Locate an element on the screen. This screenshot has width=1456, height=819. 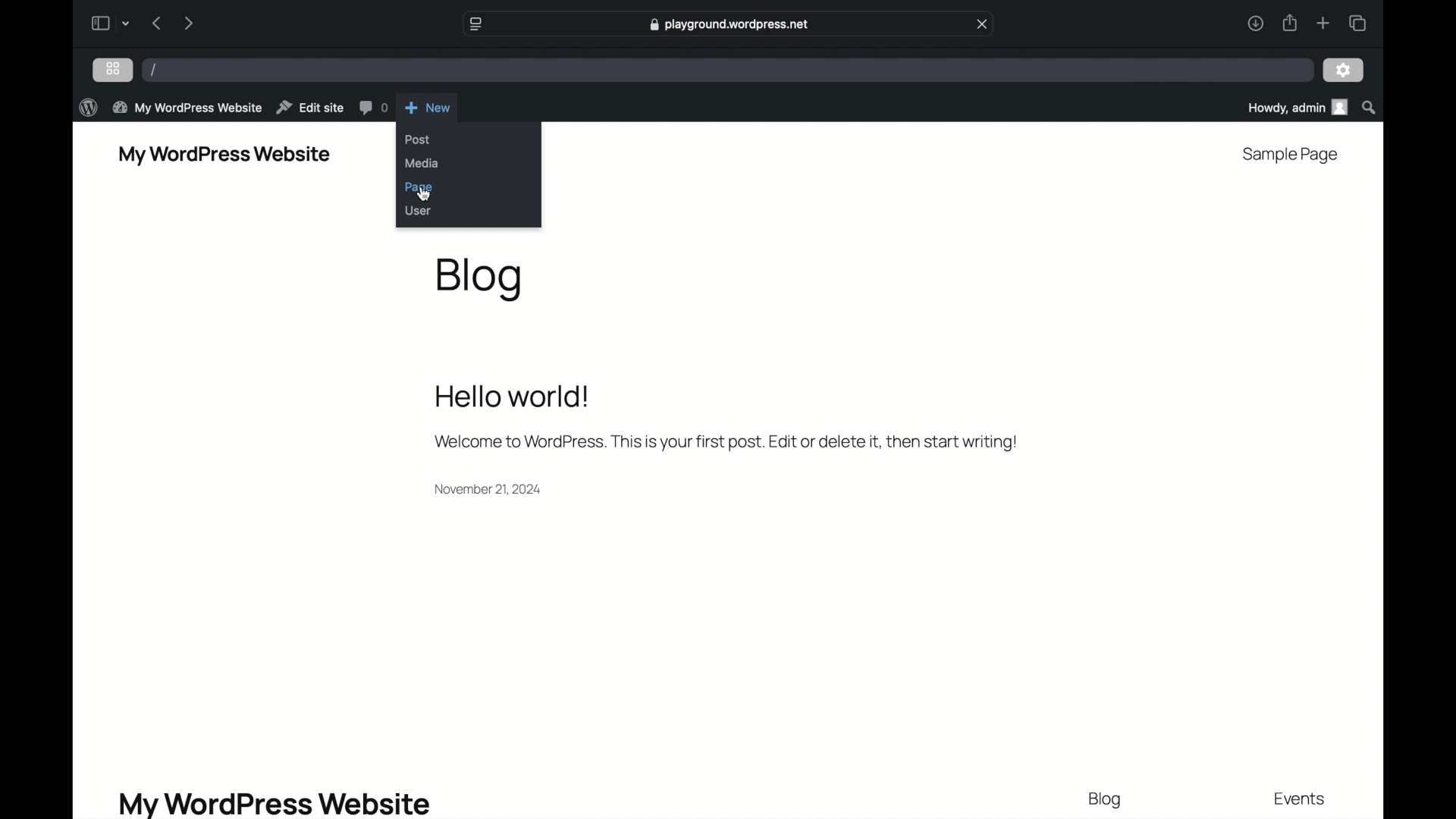
downloads is located at coordinates (1255, 23).